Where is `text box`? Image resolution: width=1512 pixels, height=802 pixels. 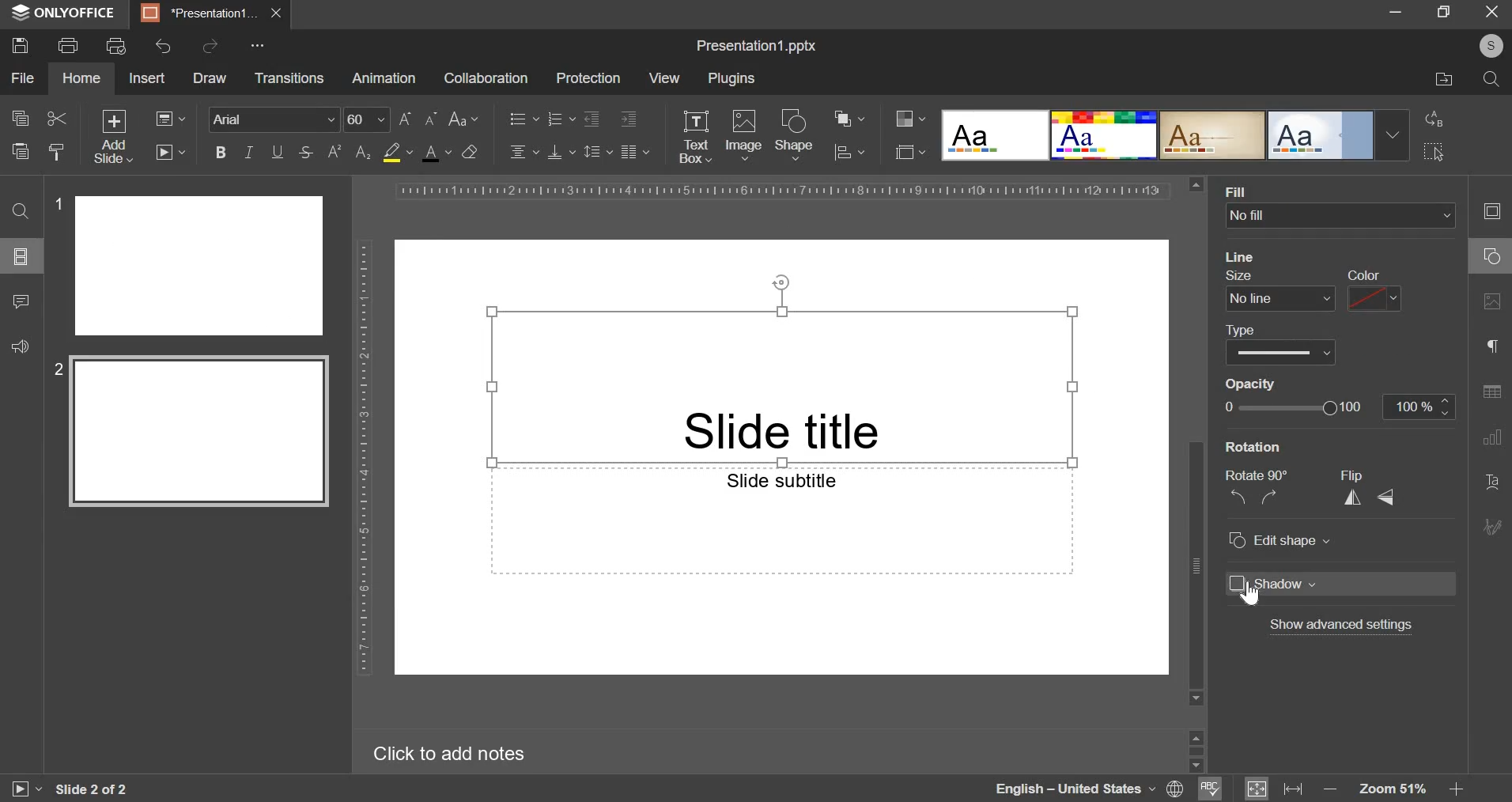 text box is located at coordinates (694, 137).